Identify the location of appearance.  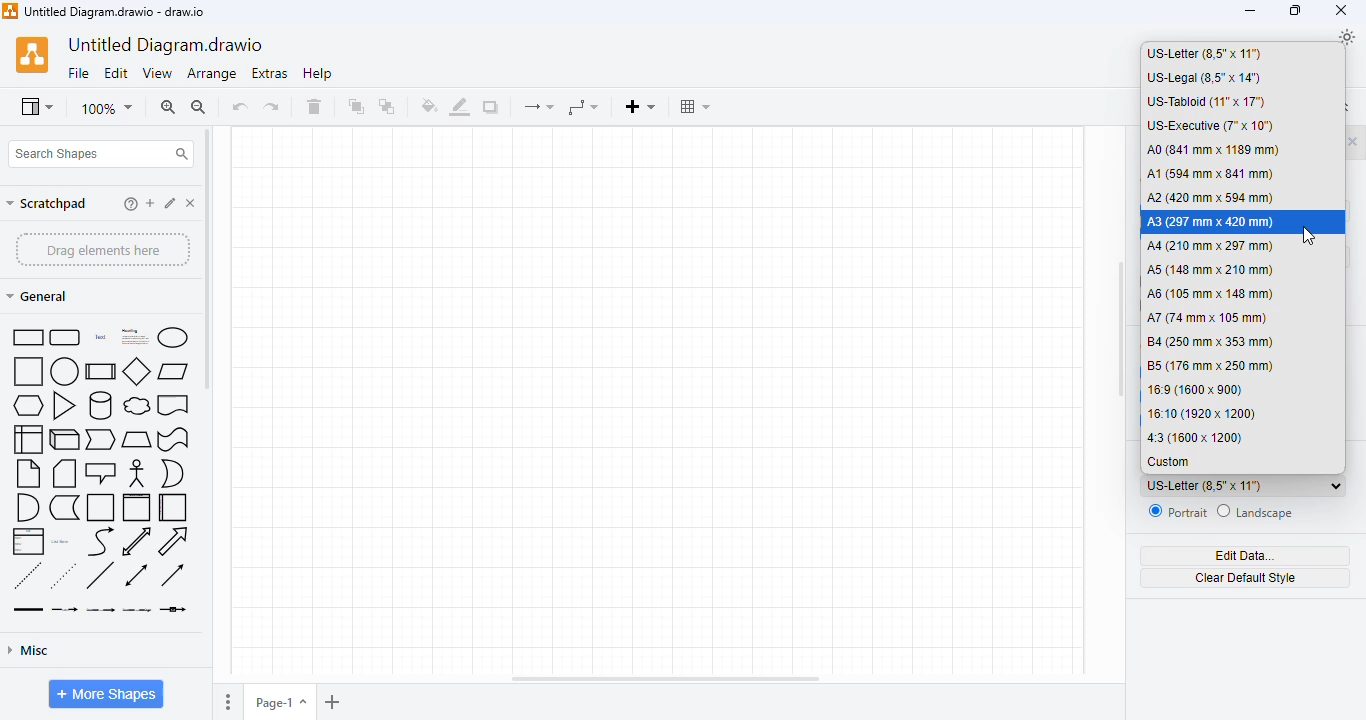
(1347, 37).